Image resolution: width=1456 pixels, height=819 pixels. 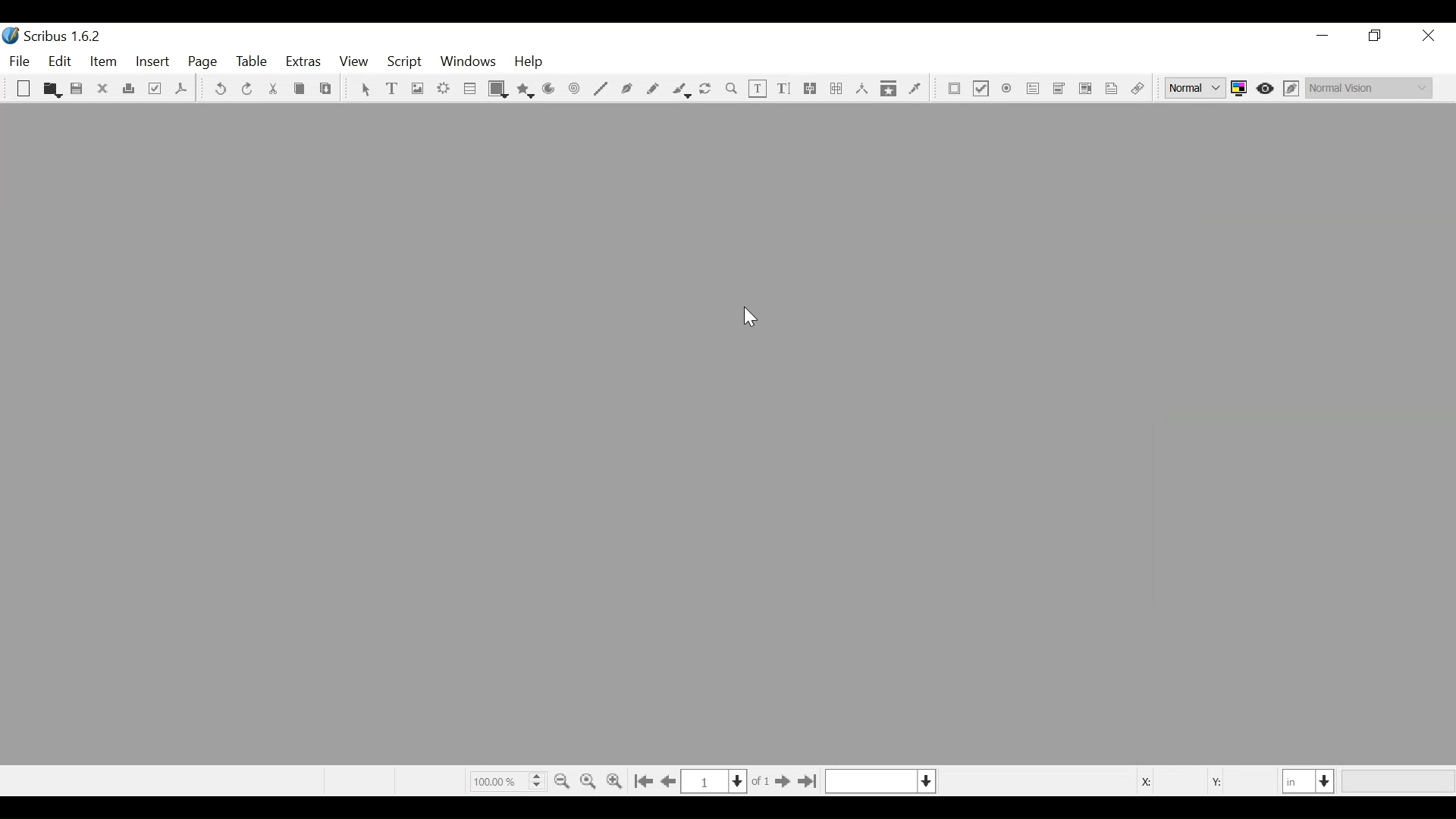 I want to click on Windows, so click(x=468, y=63).